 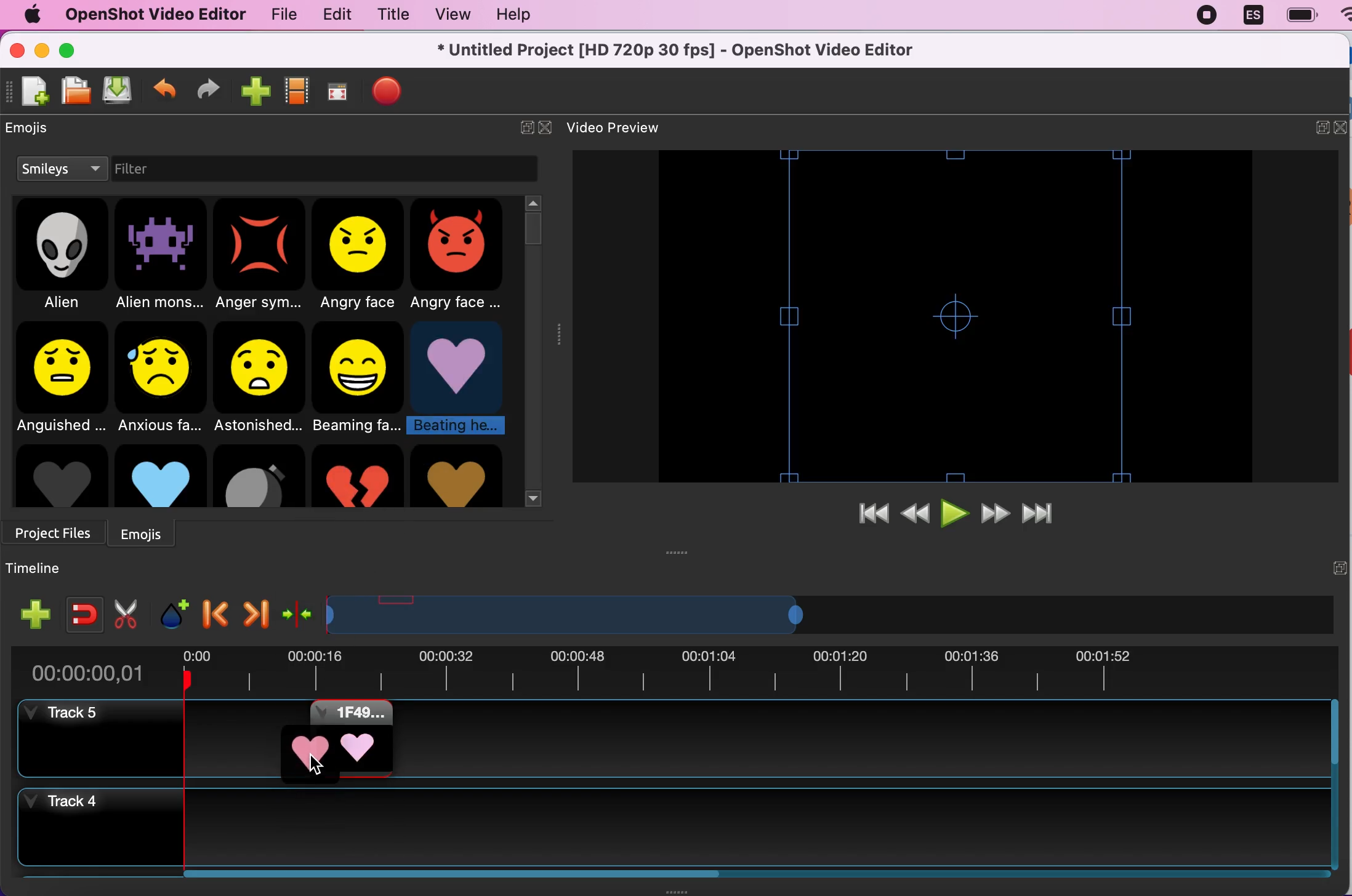 I want to click on close, so click(x=1343, y=127).